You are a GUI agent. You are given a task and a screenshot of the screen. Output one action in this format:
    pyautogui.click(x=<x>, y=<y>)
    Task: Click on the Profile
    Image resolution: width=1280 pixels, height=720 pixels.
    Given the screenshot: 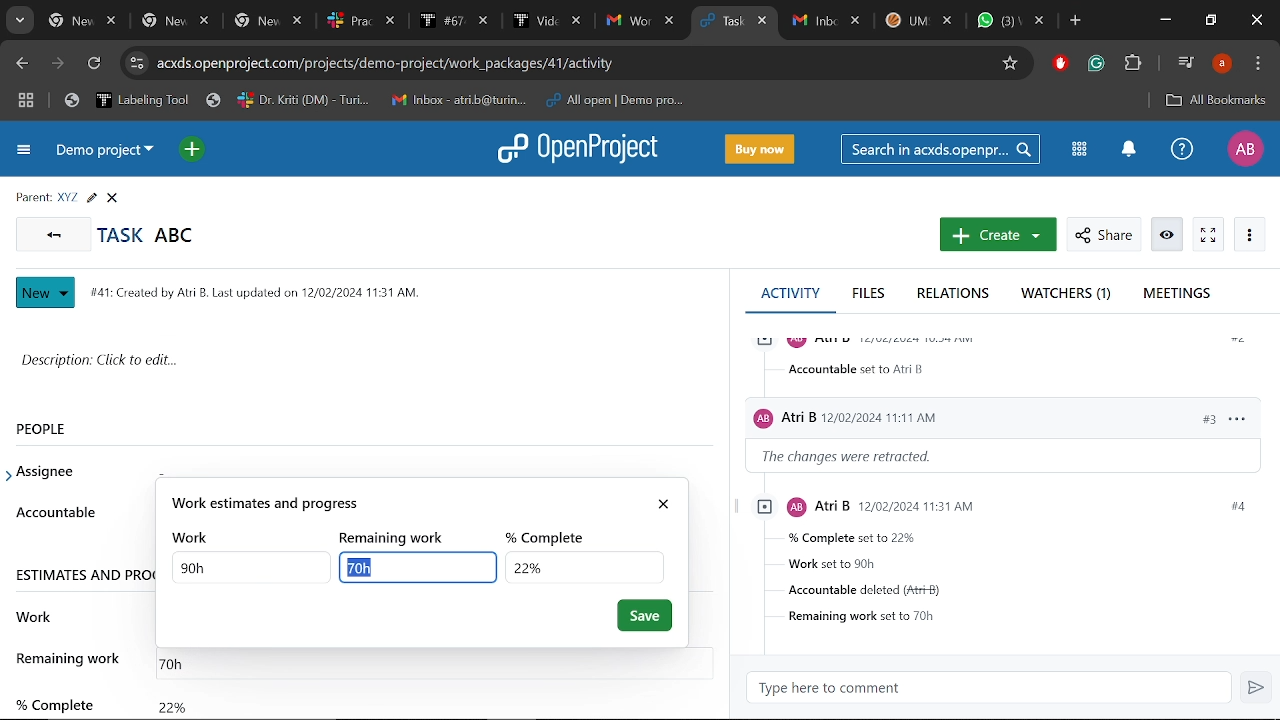 What is the action you would take?
    pyautogui.click(x=1244, y=149)
    